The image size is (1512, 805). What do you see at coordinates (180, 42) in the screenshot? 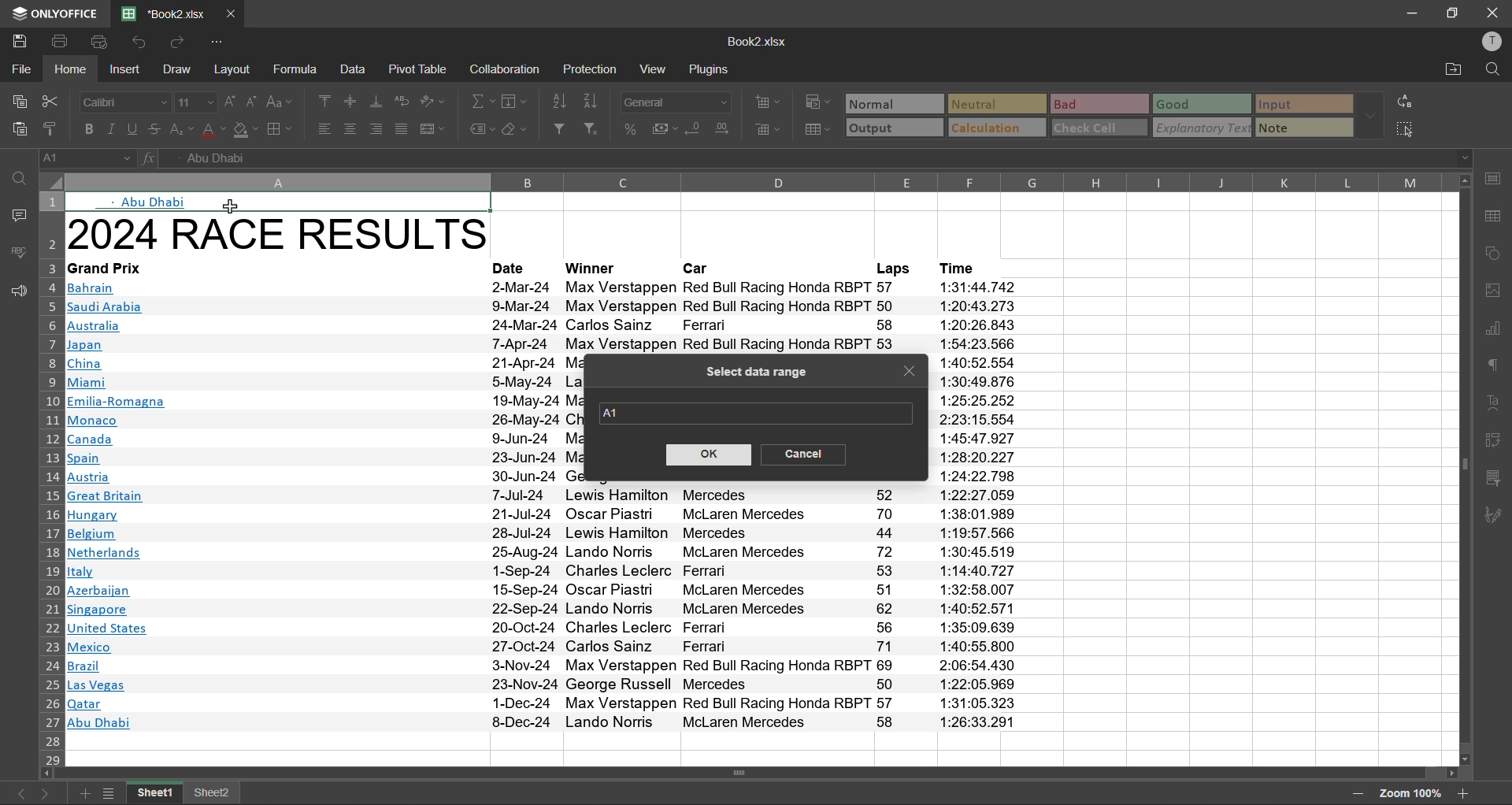
I see `redo` at bounding box center [180, 42].